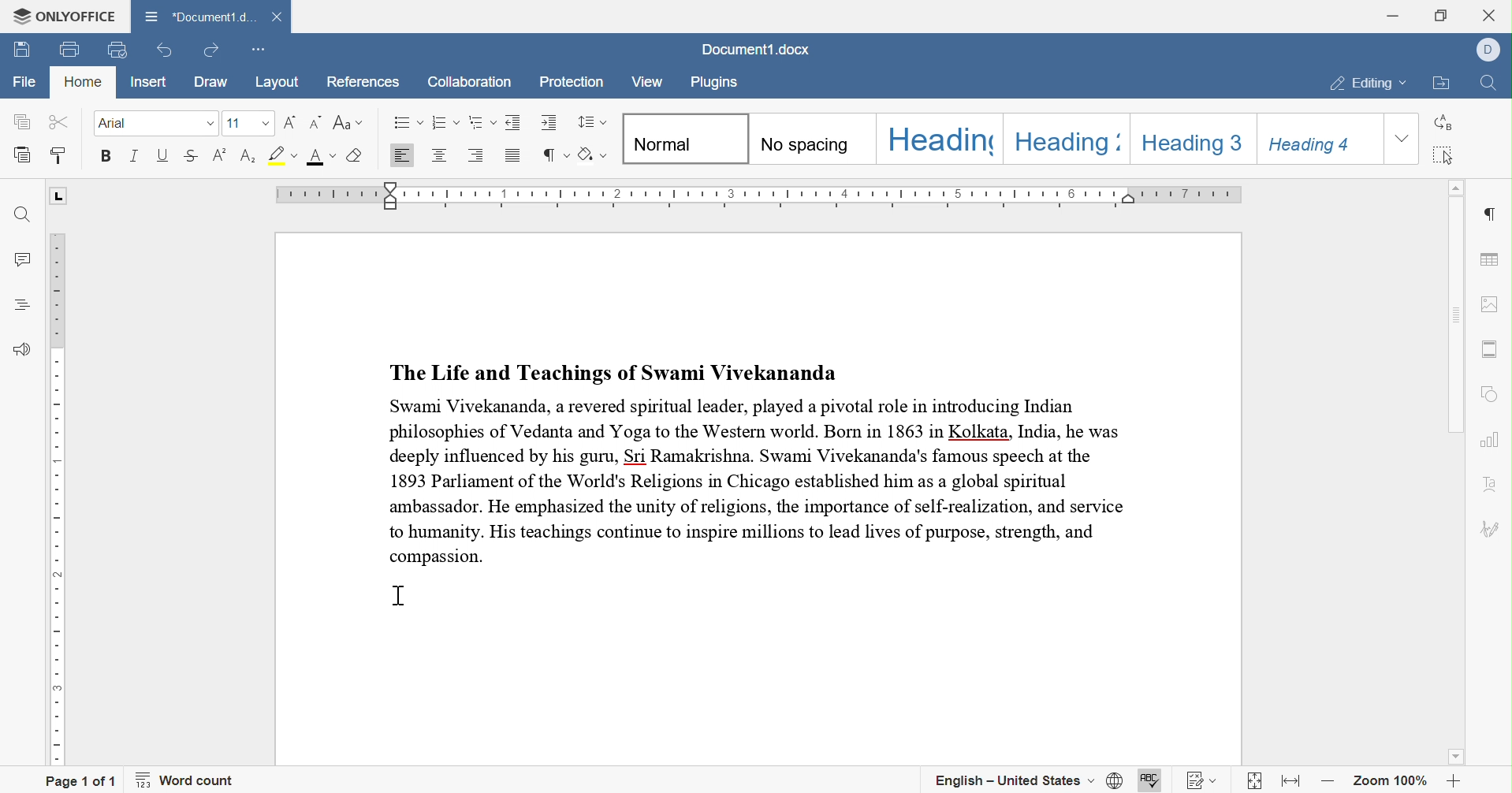  I want to click on layout, so click(280, 83).